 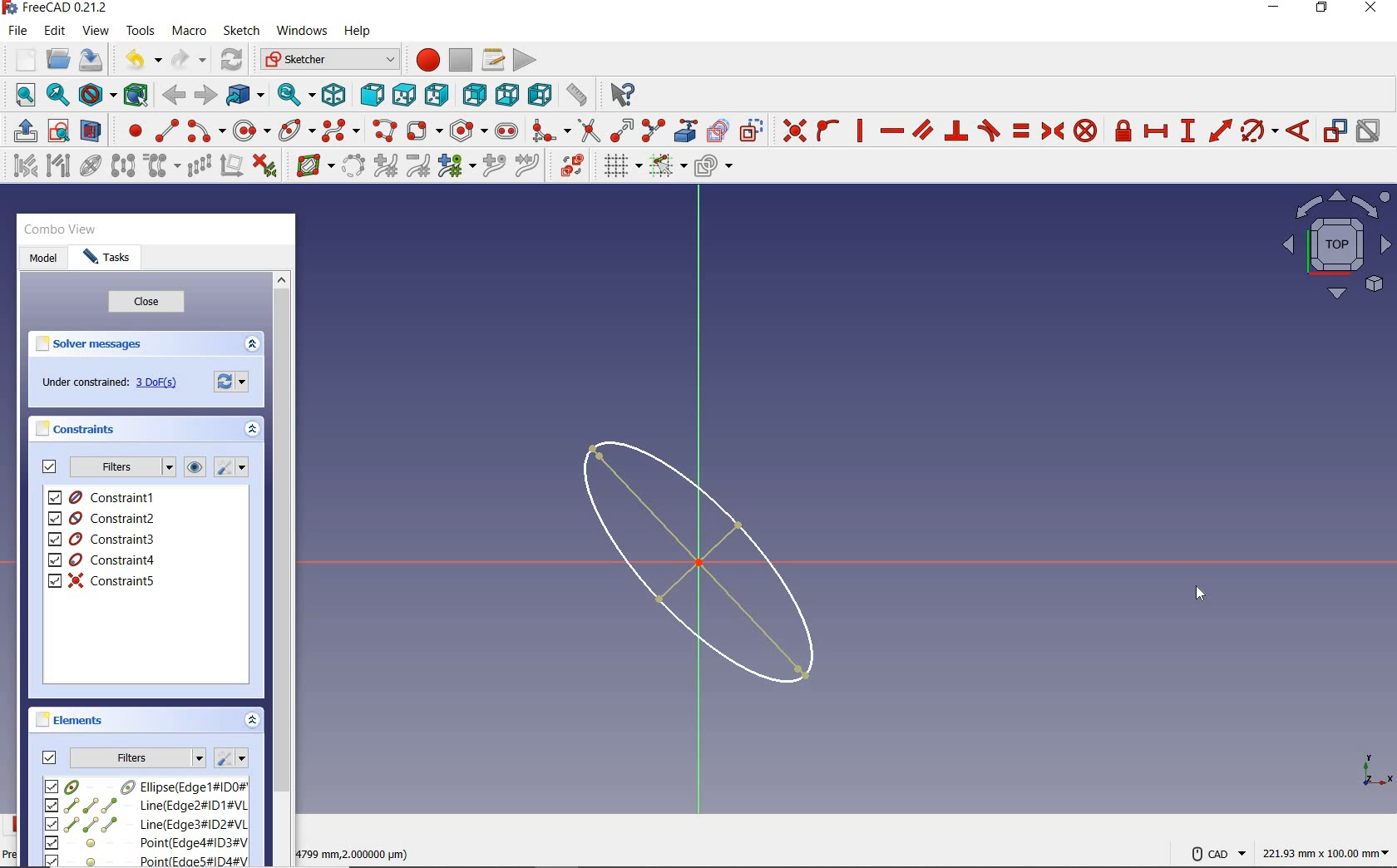 What do you see at coordinates (199, 167) in the screenshot?
I see `rectangular array` at bounding box center [199, 167].